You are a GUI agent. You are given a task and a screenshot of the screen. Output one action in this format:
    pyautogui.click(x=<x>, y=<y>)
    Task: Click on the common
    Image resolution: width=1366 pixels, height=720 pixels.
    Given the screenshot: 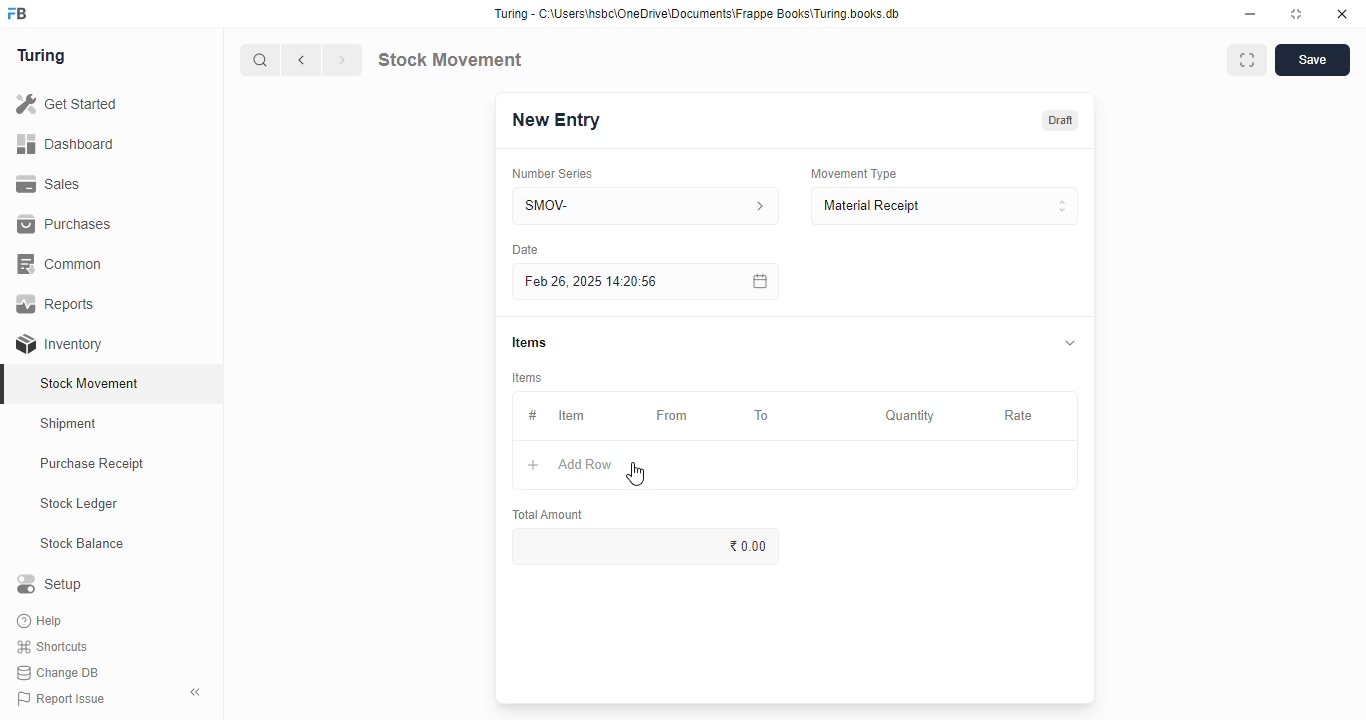 What is the action you would take?
    pyautogui.click(x=62, y=264)
    